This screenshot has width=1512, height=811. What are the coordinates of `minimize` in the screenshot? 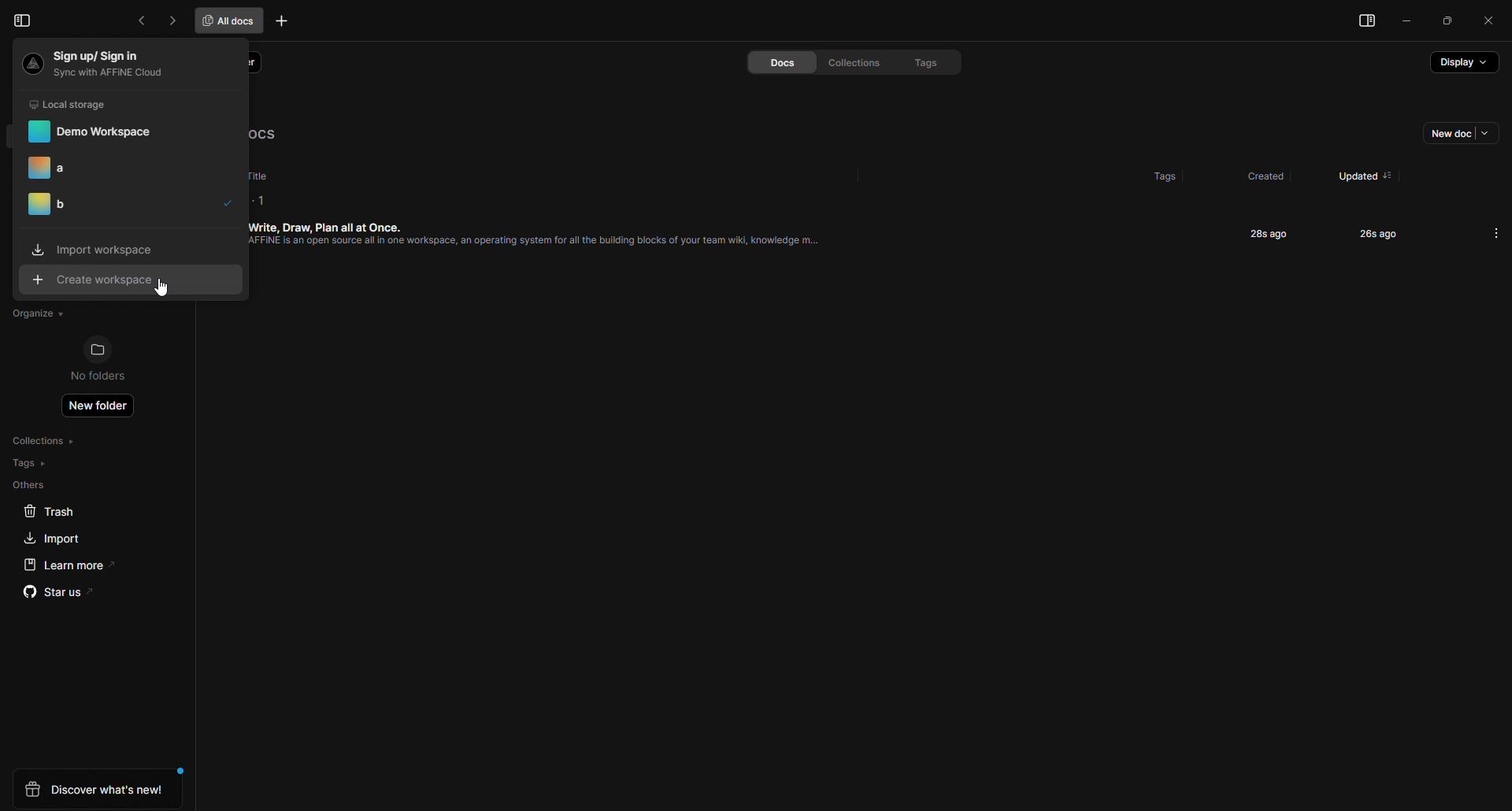 It's located at (1409, 23).